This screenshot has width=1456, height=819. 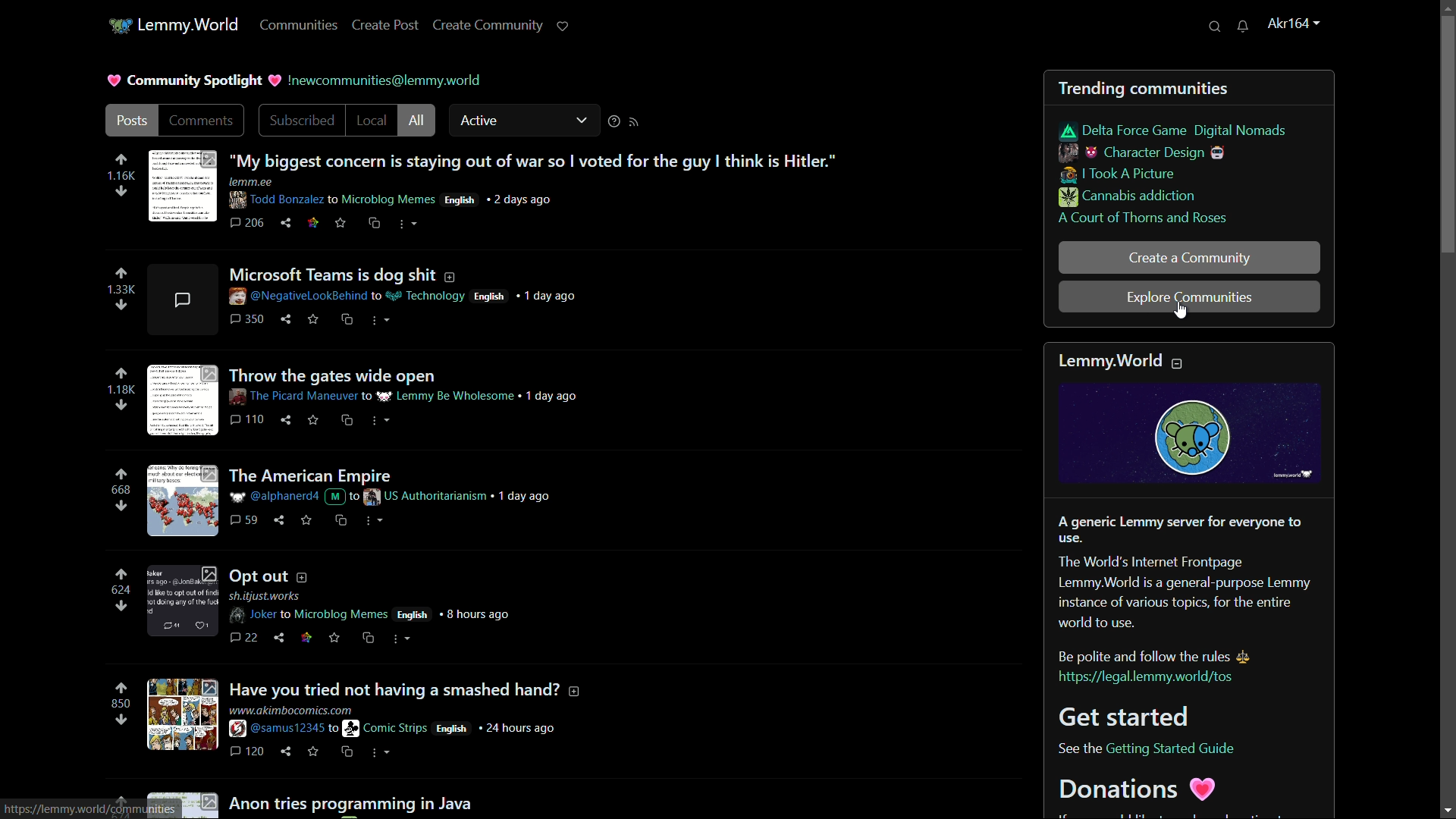 I want to click on image, so click(x=1196, y=434).